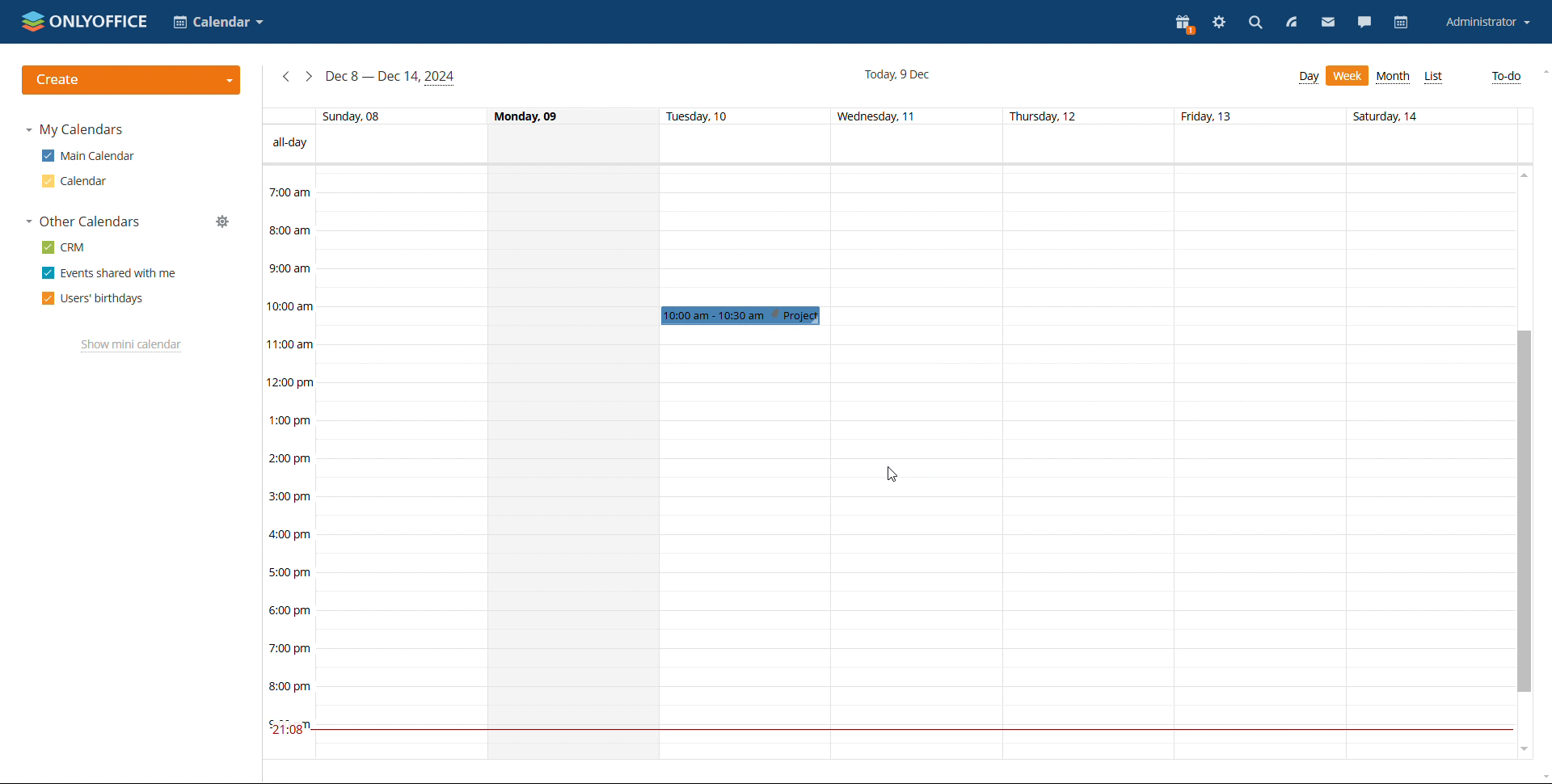 The height and width of the screenshot is (784, 1552). I want to click on users' birthdays, so click(93, 298).